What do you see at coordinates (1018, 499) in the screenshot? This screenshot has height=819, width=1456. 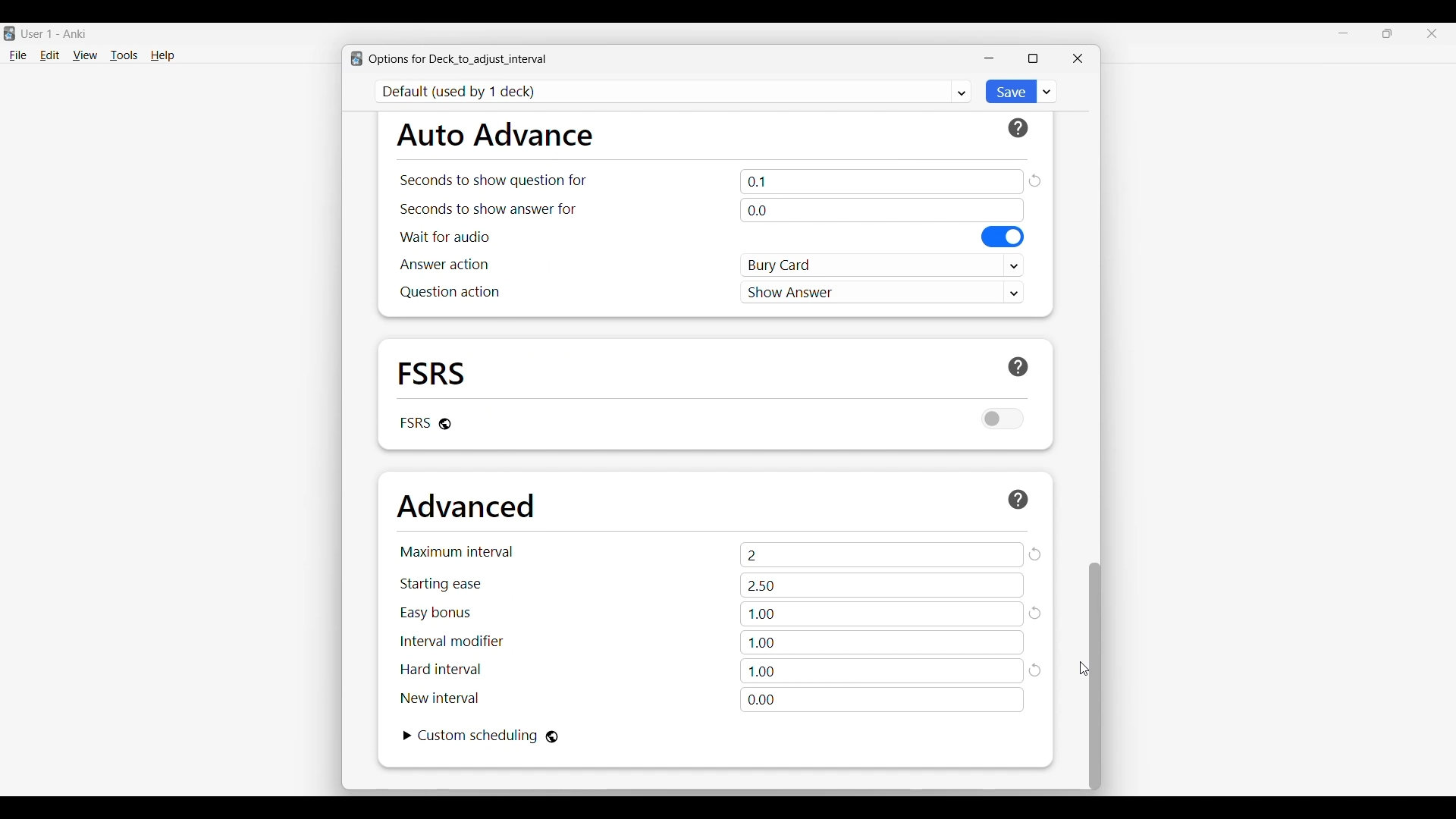 I see `Learn more about respective section` at bounding box center [1018, 499].